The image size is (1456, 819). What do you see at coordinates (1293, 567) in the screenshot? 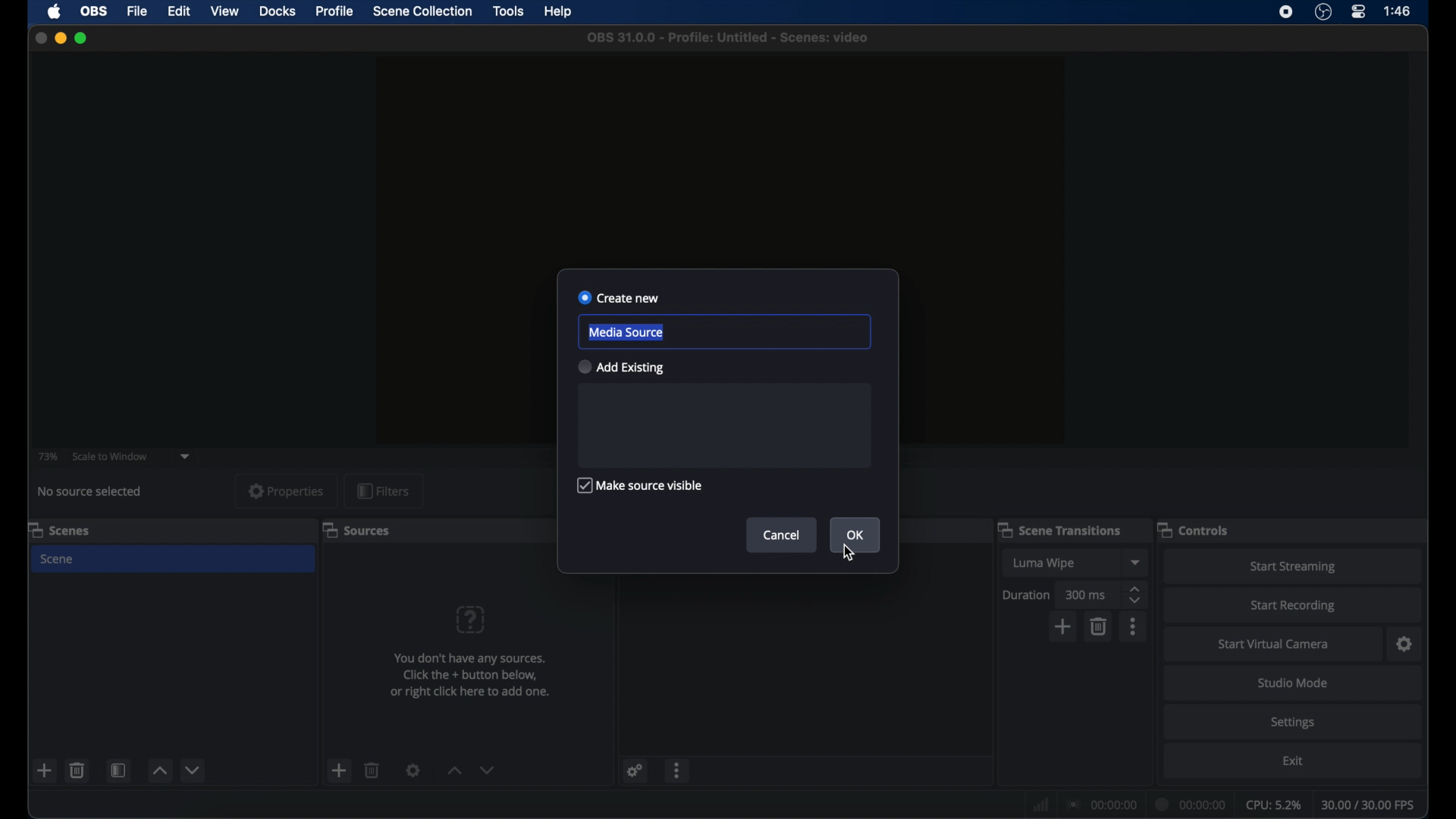
I see `start streaming` at bounding box center [1293, 567].